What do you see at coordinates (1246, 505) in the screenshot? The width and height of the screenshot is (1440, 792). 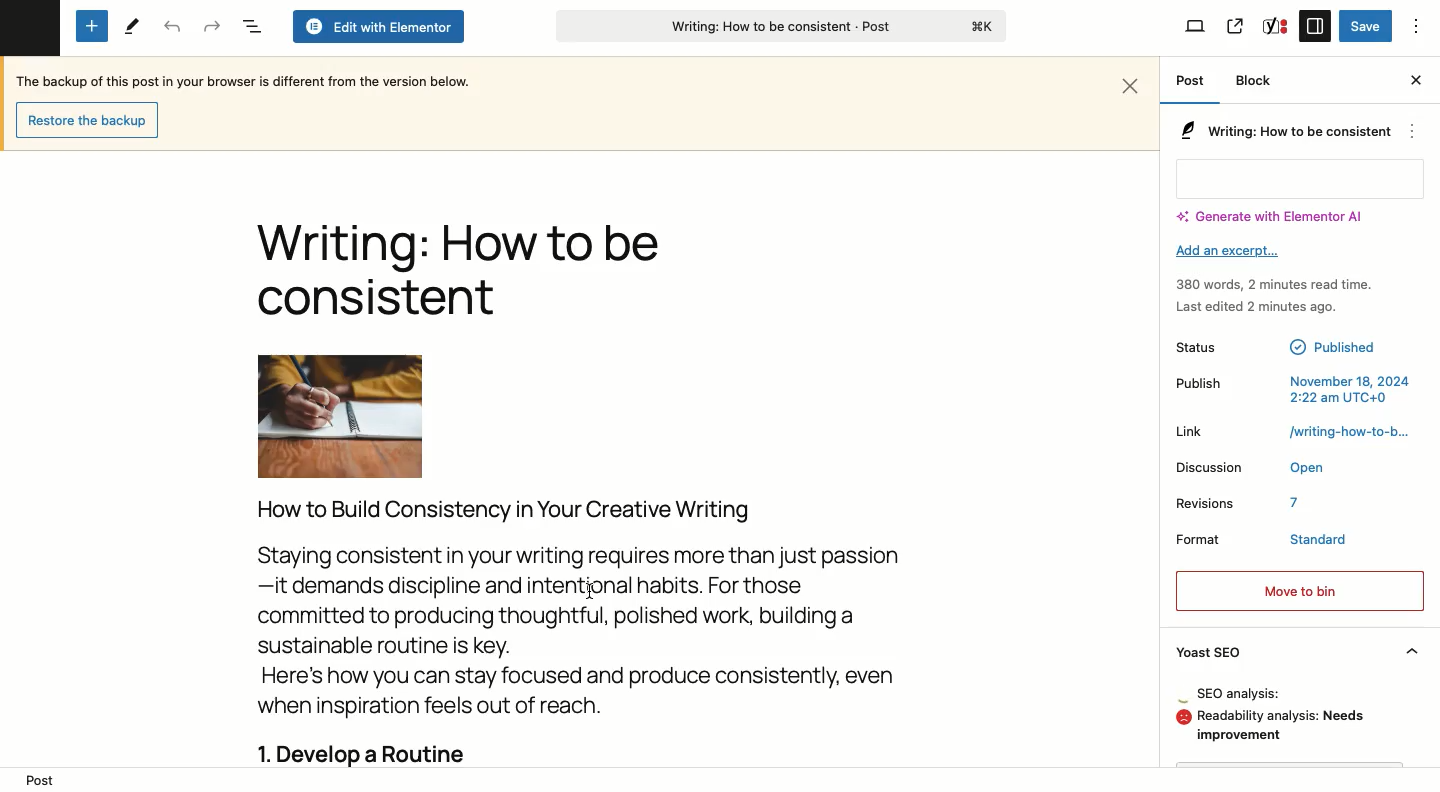 I see `Revisions 7` at bounding box center [1246, 505].